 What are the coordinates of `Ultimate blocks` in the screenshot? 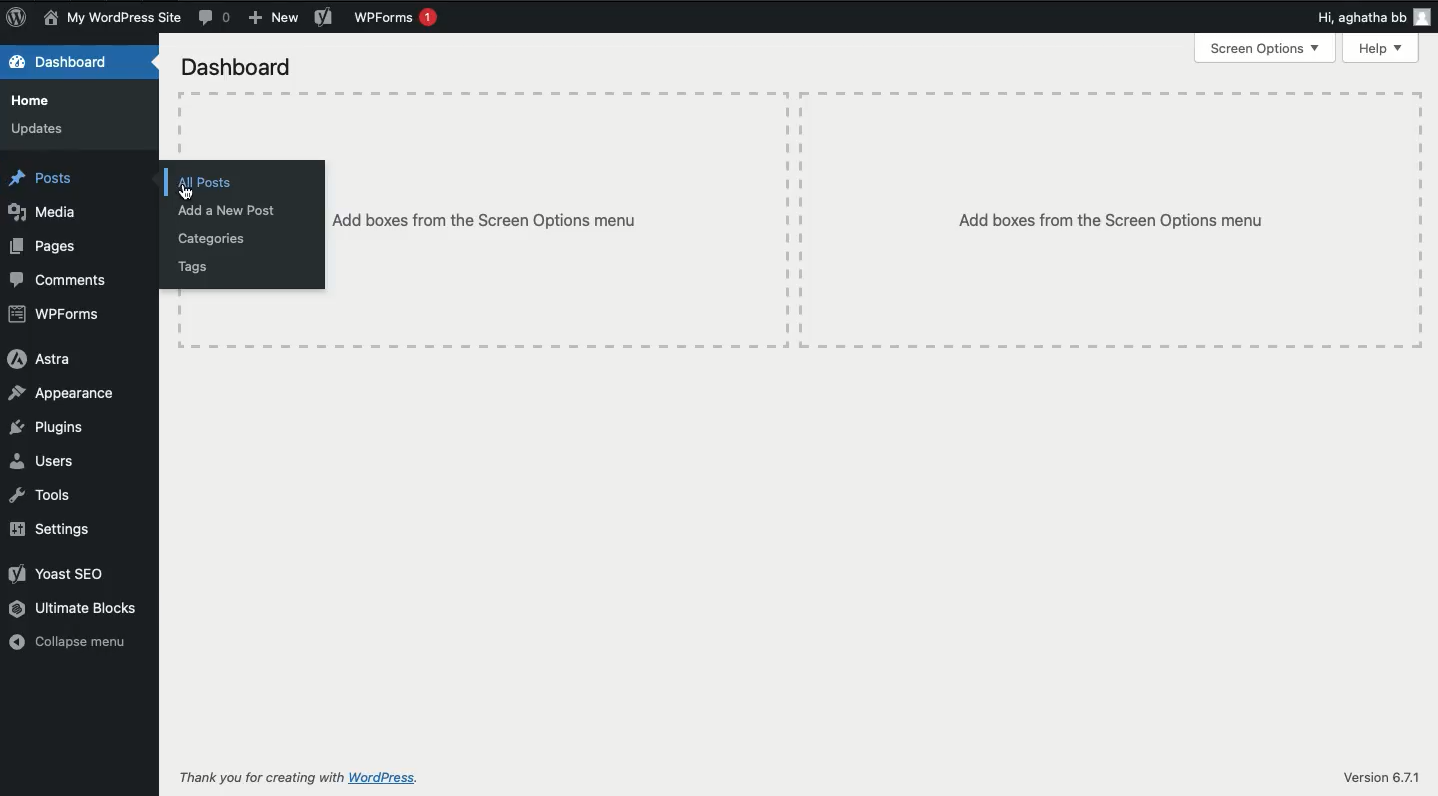 It's located at (75, 607).